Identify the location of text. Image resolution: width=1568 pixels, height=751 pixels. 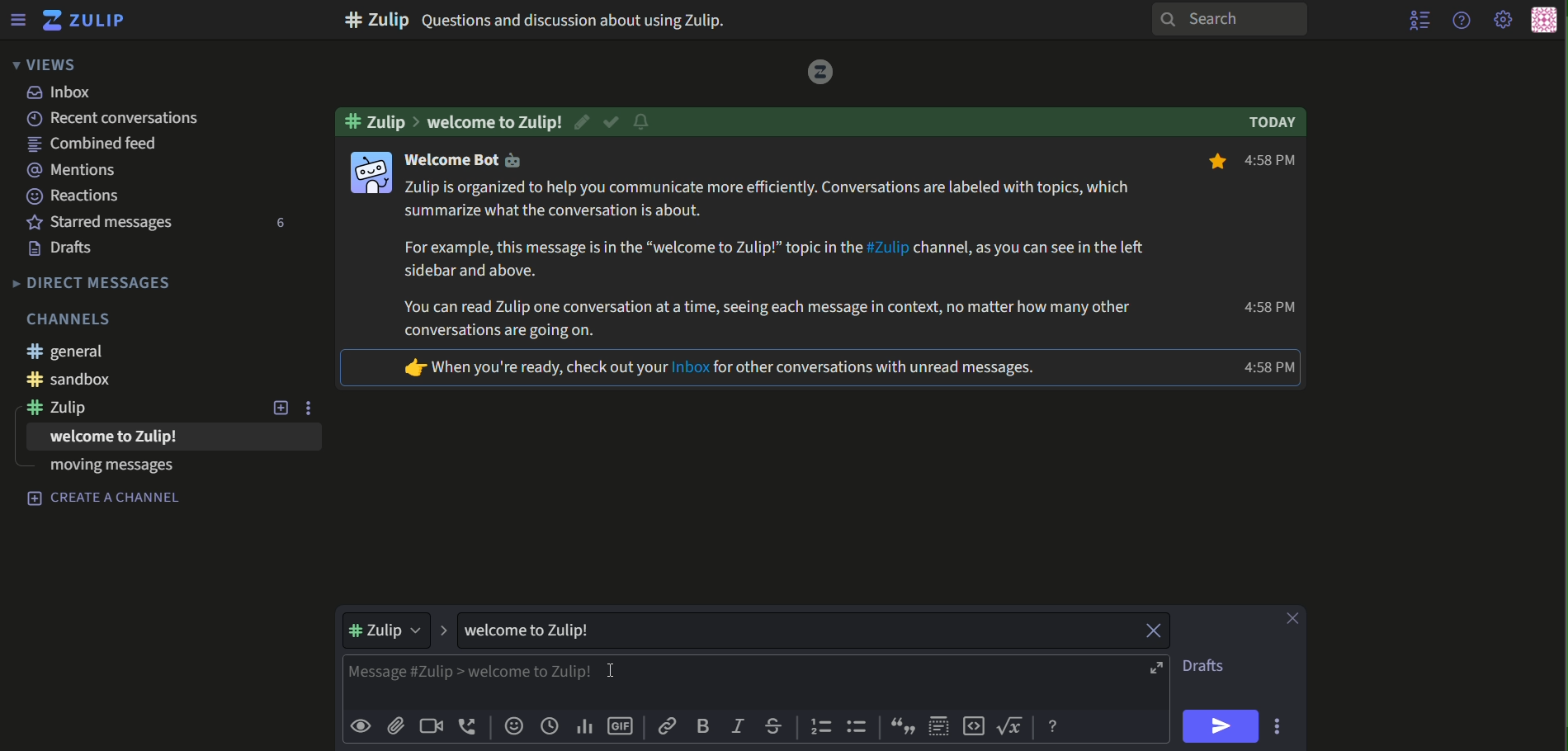
(100, 441).